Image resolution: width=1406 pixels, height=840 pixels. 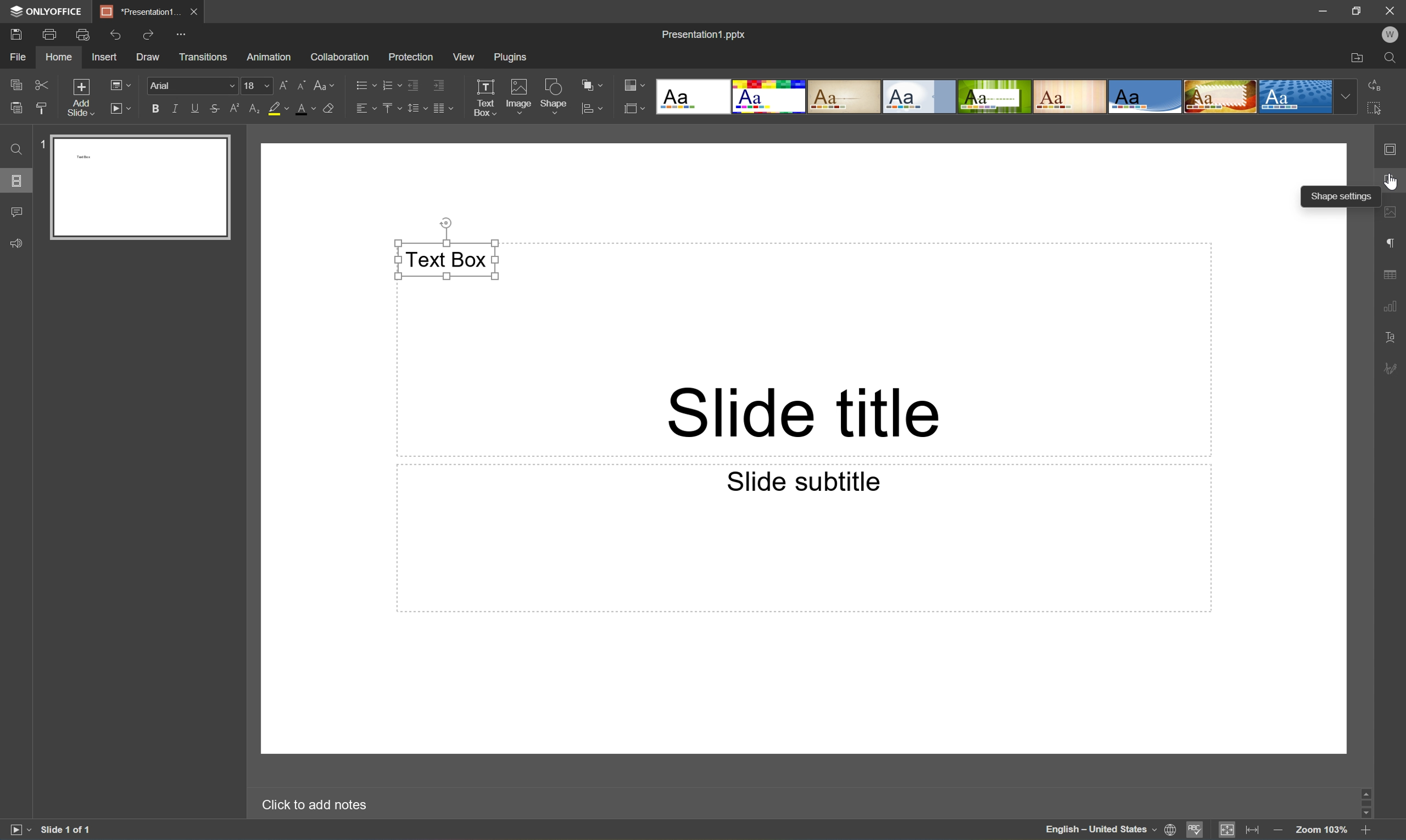 I want to click on Copy, so click(x=14, y=84).